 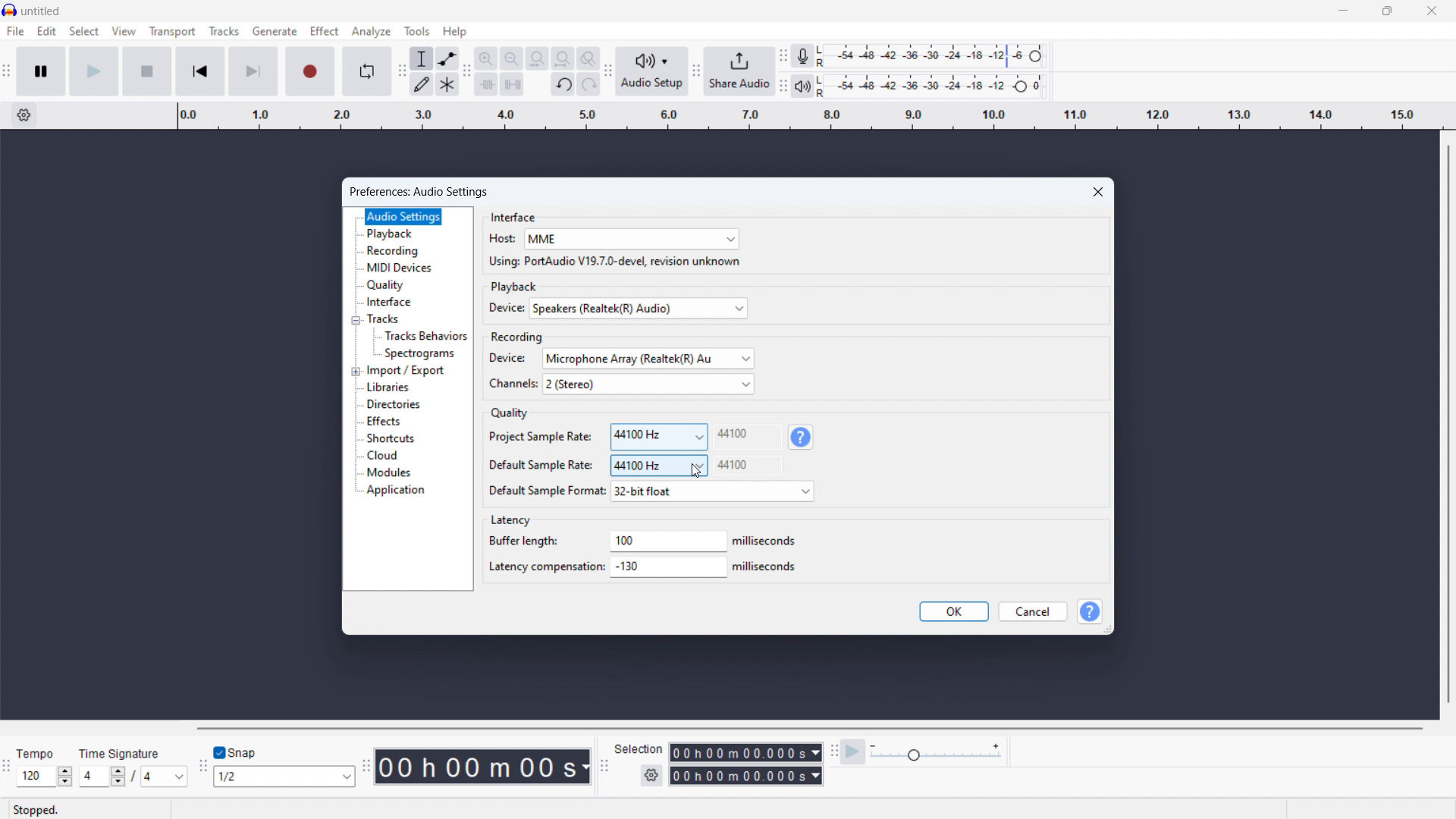 I want to click on silence audio selection, so click(x=513, y=84).